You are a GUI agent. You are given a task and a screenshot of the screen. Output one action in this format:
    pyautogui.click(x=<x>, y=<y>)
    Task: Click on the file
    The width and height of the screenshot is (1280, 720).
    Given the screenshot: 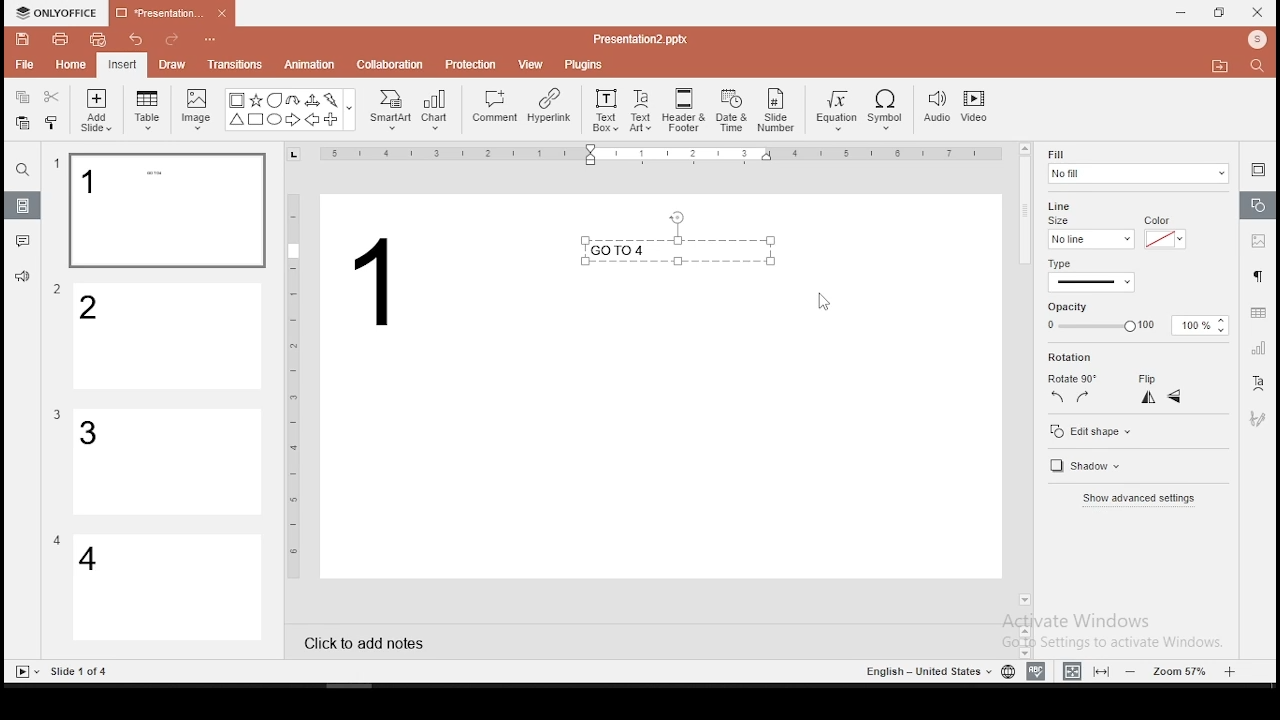 What is the action you would take?
    pyautogui.click(x=24, y=66)
    